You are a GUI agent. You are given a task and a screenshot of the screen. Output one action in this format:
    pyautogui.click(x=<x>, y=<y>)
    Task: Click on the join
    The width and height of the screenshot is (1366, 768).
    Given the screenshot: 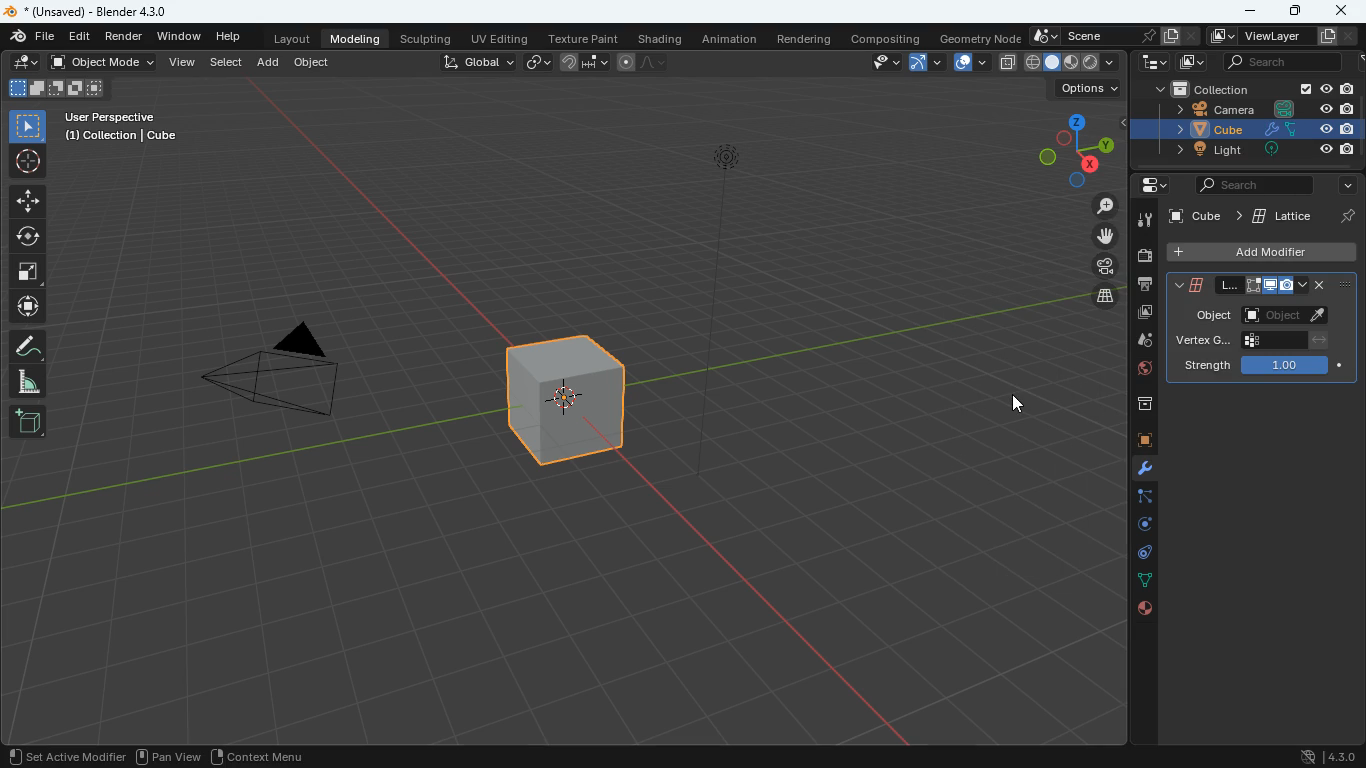 What is the action you would take?
    pyautogui.click(x=585, y=61)
    